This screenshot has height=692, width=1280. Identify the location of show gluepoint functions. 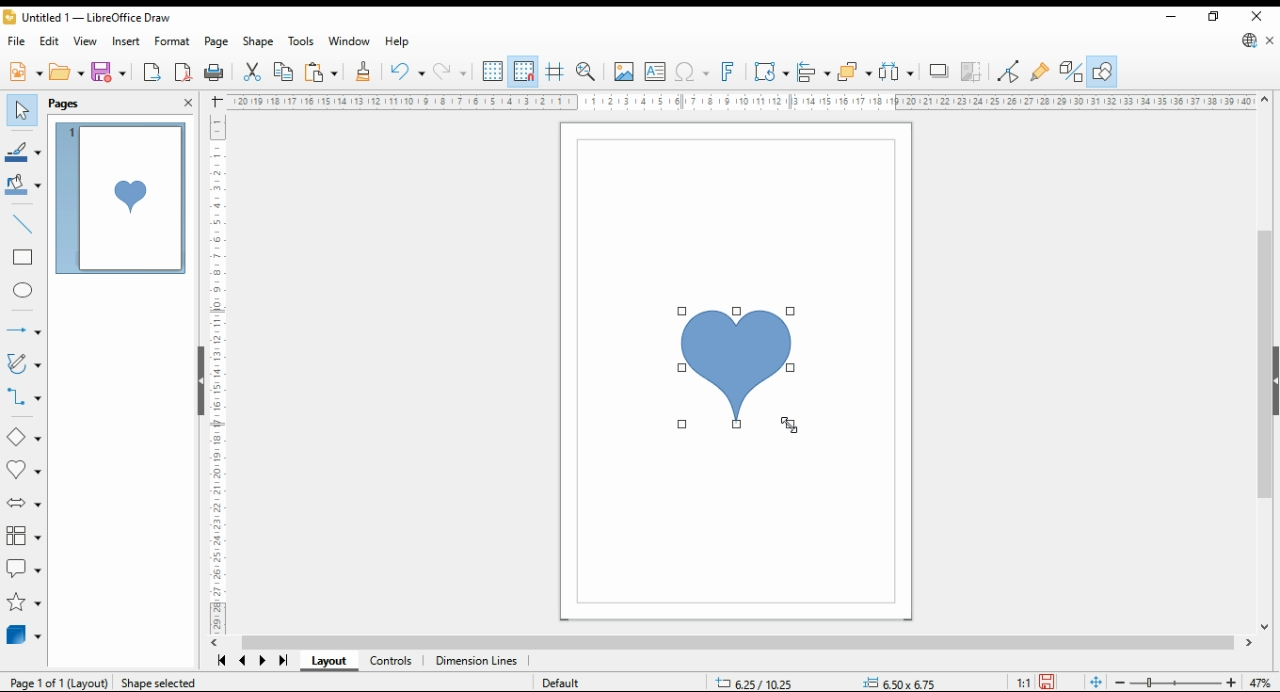
(1040, 73).